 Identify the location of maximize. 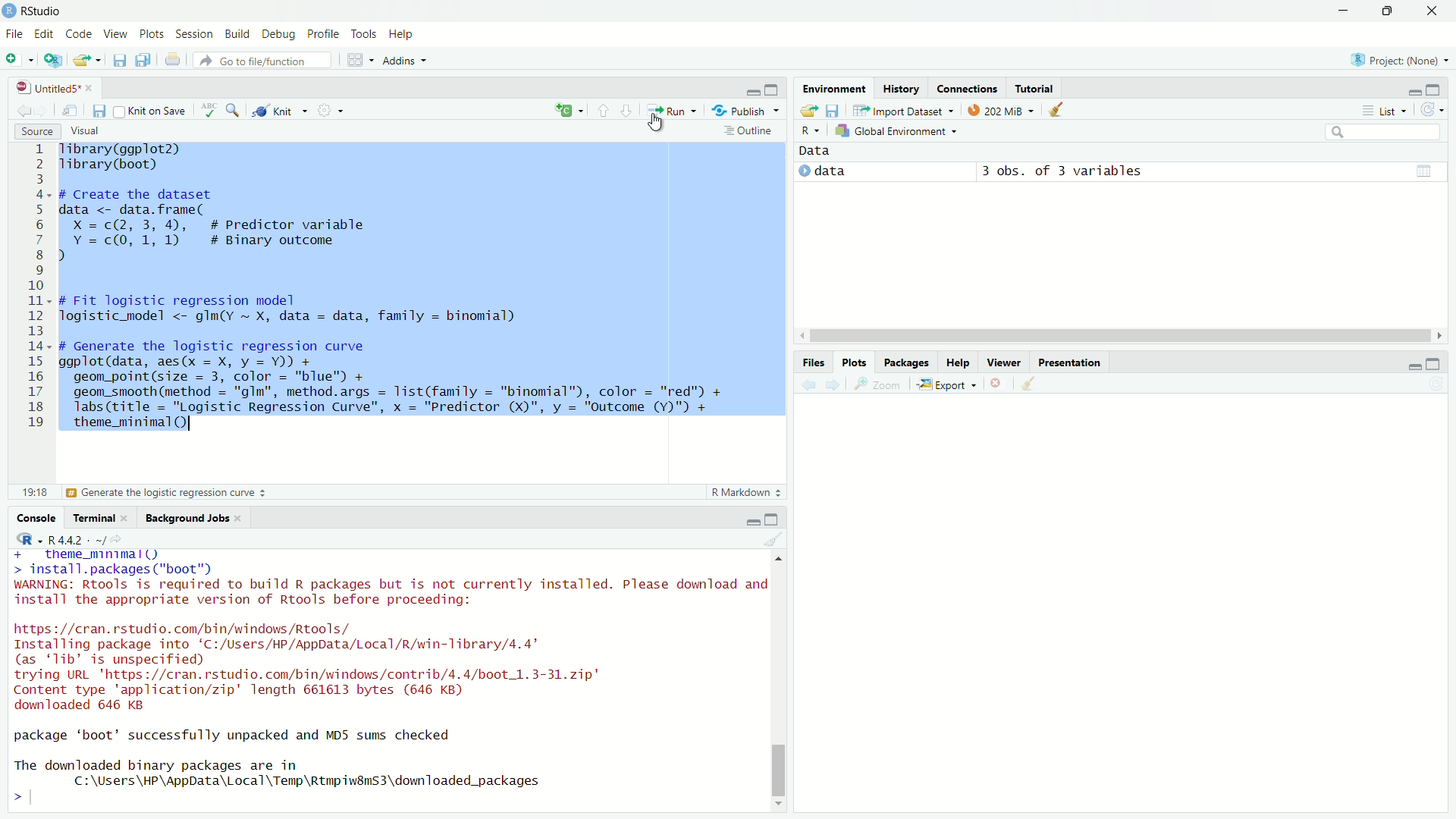
(1433, 364).